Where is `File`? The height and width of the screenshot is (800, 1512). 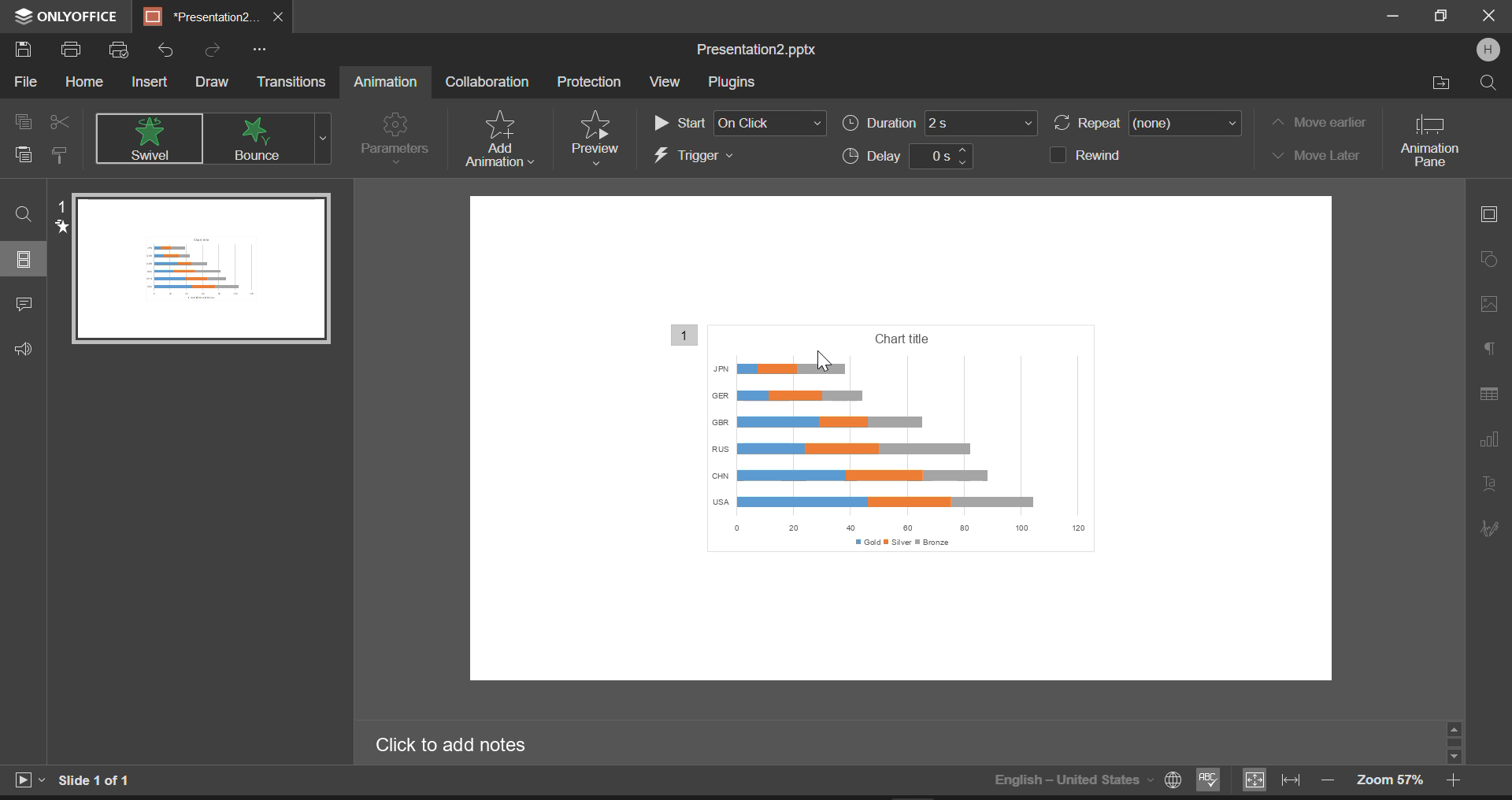
File is located at coordinates (24, 85).